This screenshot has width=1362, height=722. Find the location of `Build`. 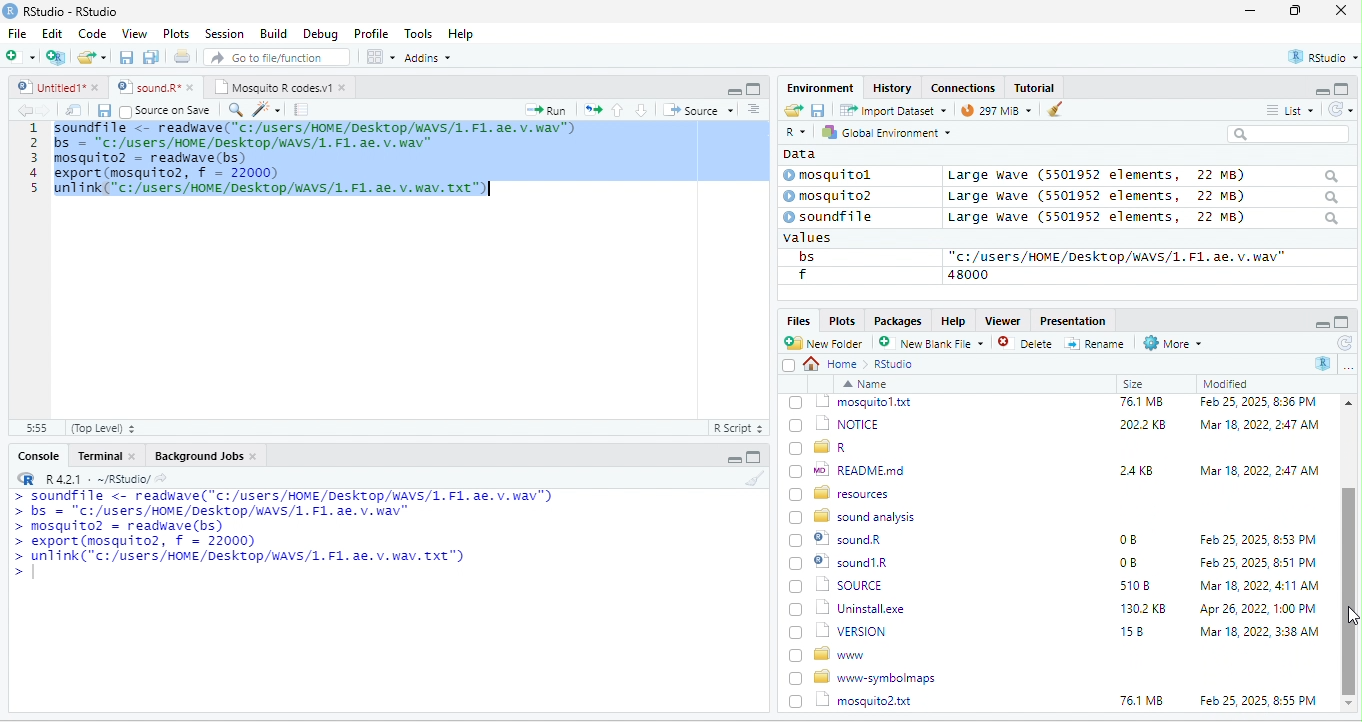

Build is located at coordinates (274, 33).